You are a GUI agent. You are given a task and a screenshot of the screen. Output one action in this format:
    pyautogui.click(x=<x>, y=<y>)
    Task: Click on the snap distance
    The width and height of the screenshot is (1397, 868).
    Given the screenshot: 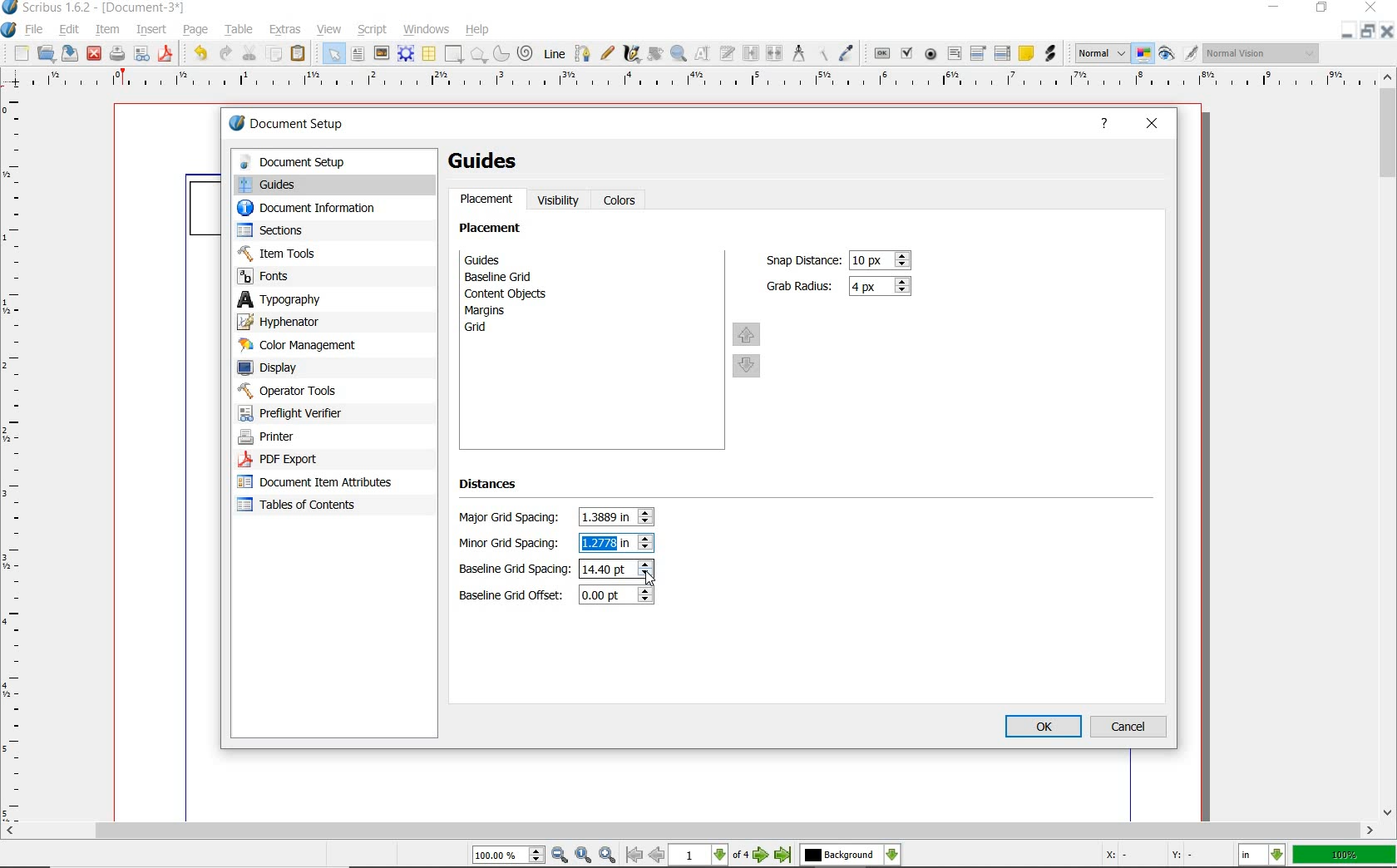 What is the action you would take?
    pyautogui.click(x=881, y=260)
    